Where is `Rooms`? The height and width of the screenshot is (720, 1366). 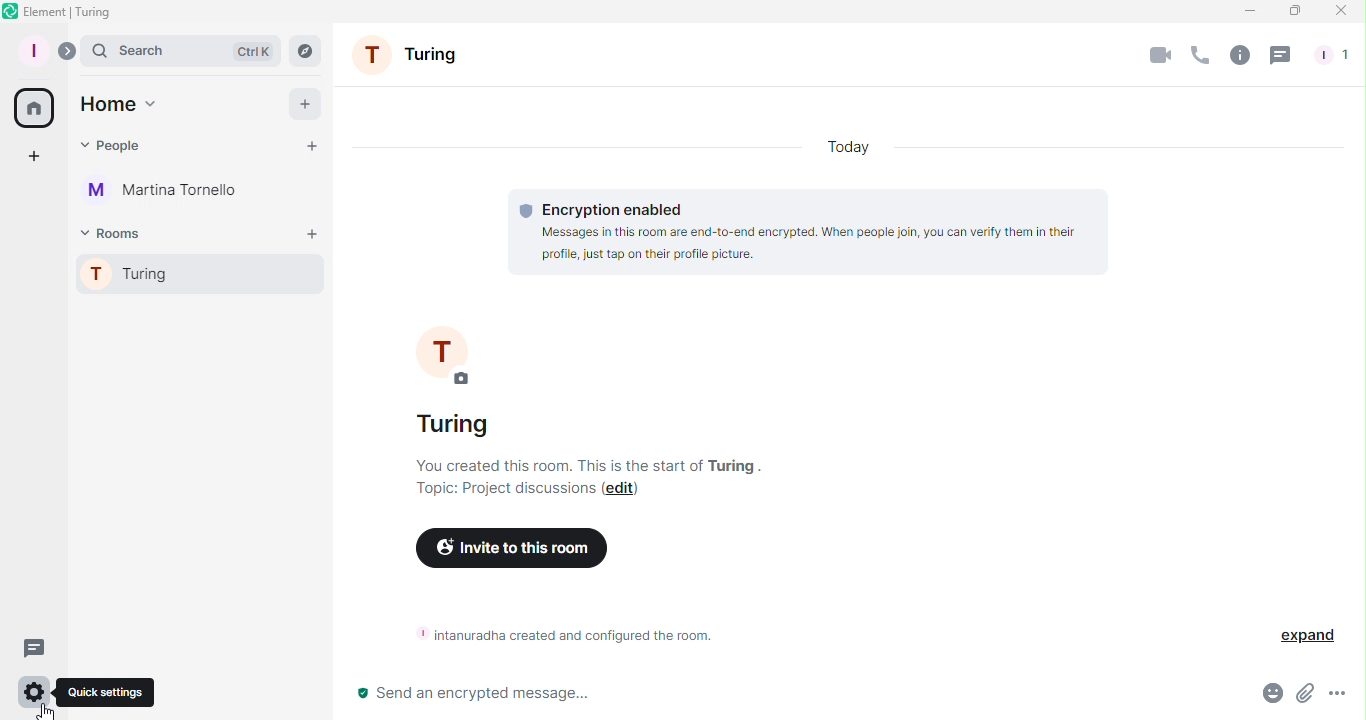 Rooms is located at coordinates (110, 233).